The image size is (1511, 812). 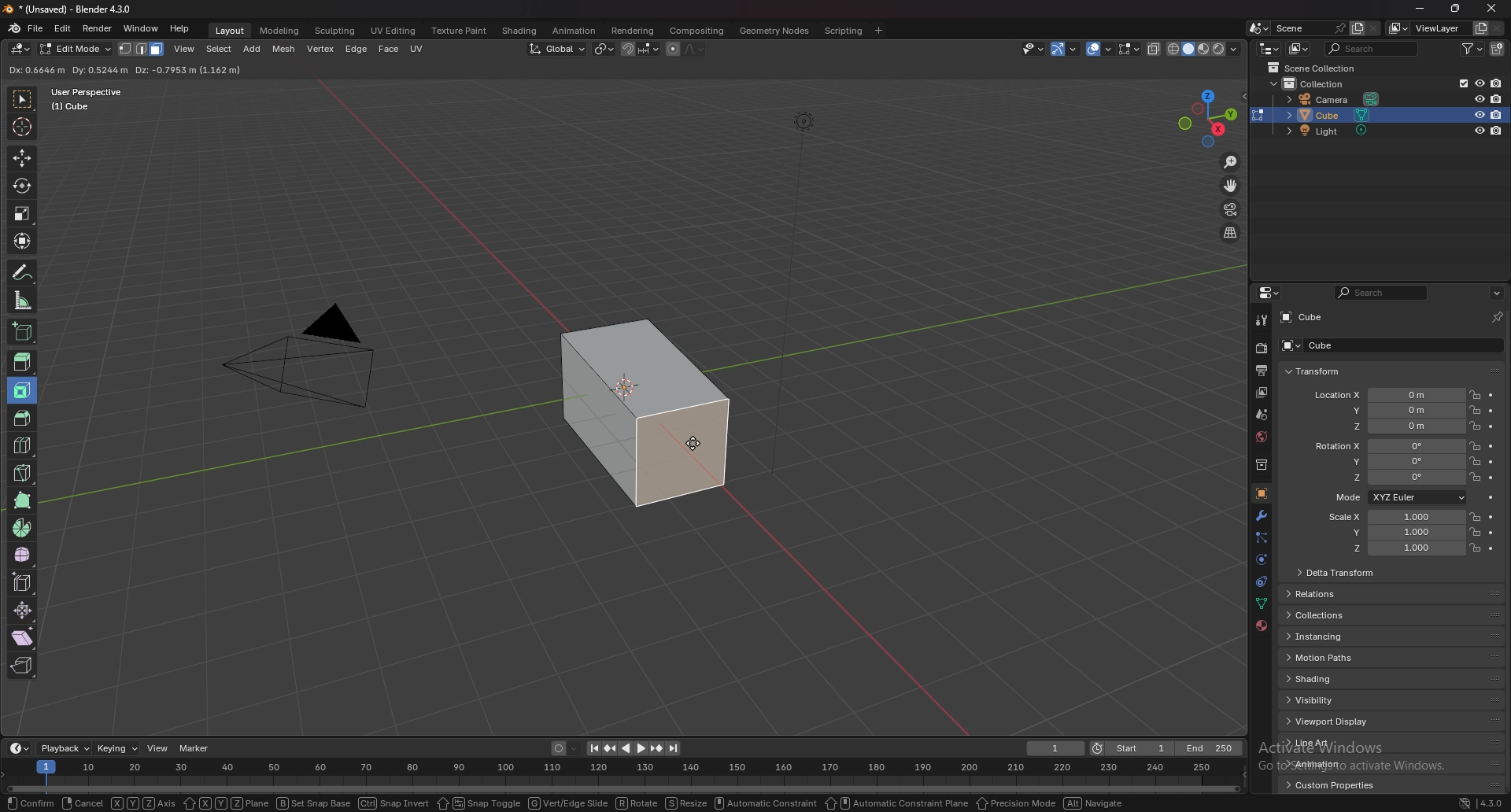 I want to click on animate property, so click(x=1491, y=518).